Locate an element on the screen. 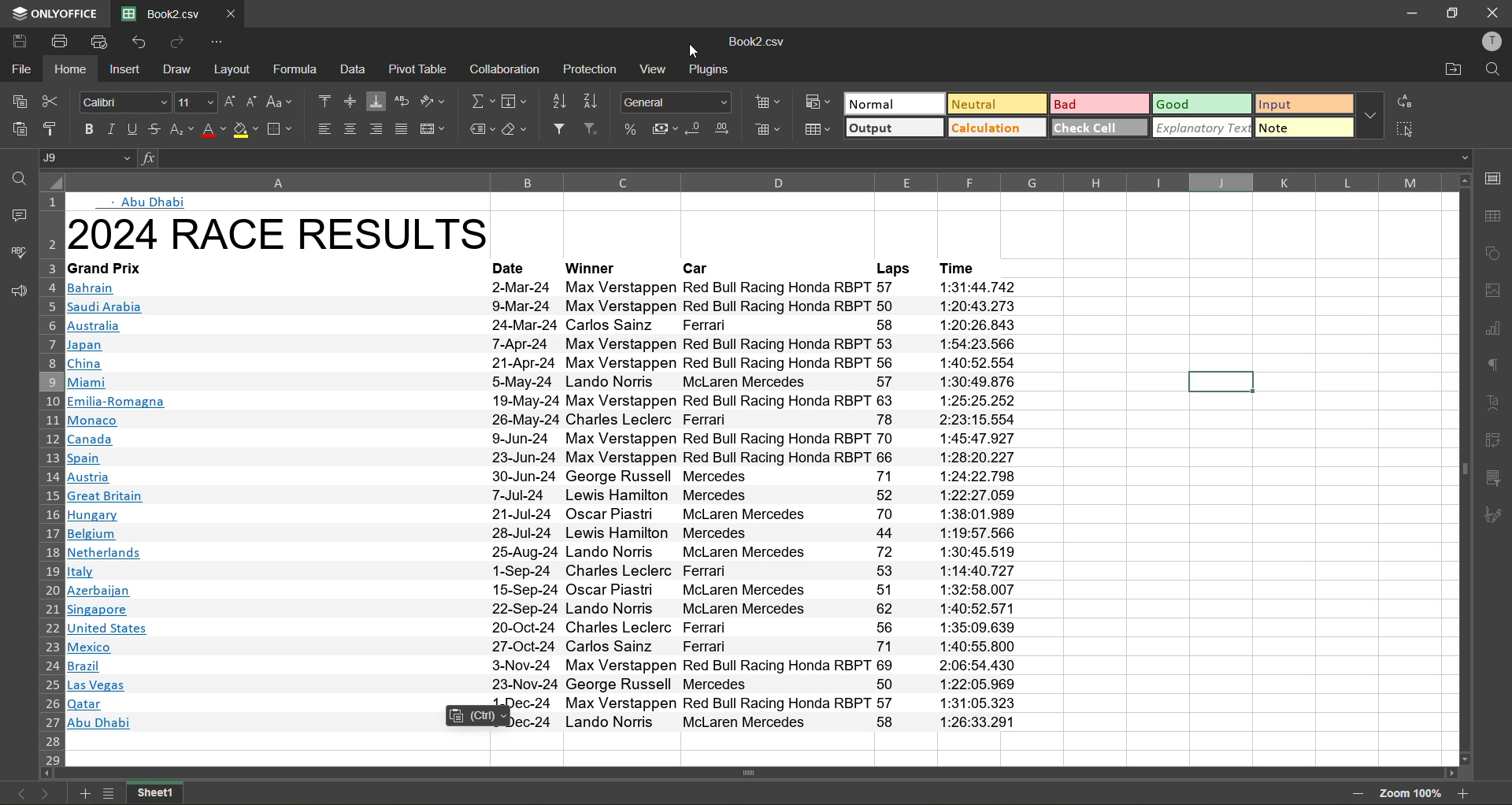  collaboration is located at coordinates (505, 73).